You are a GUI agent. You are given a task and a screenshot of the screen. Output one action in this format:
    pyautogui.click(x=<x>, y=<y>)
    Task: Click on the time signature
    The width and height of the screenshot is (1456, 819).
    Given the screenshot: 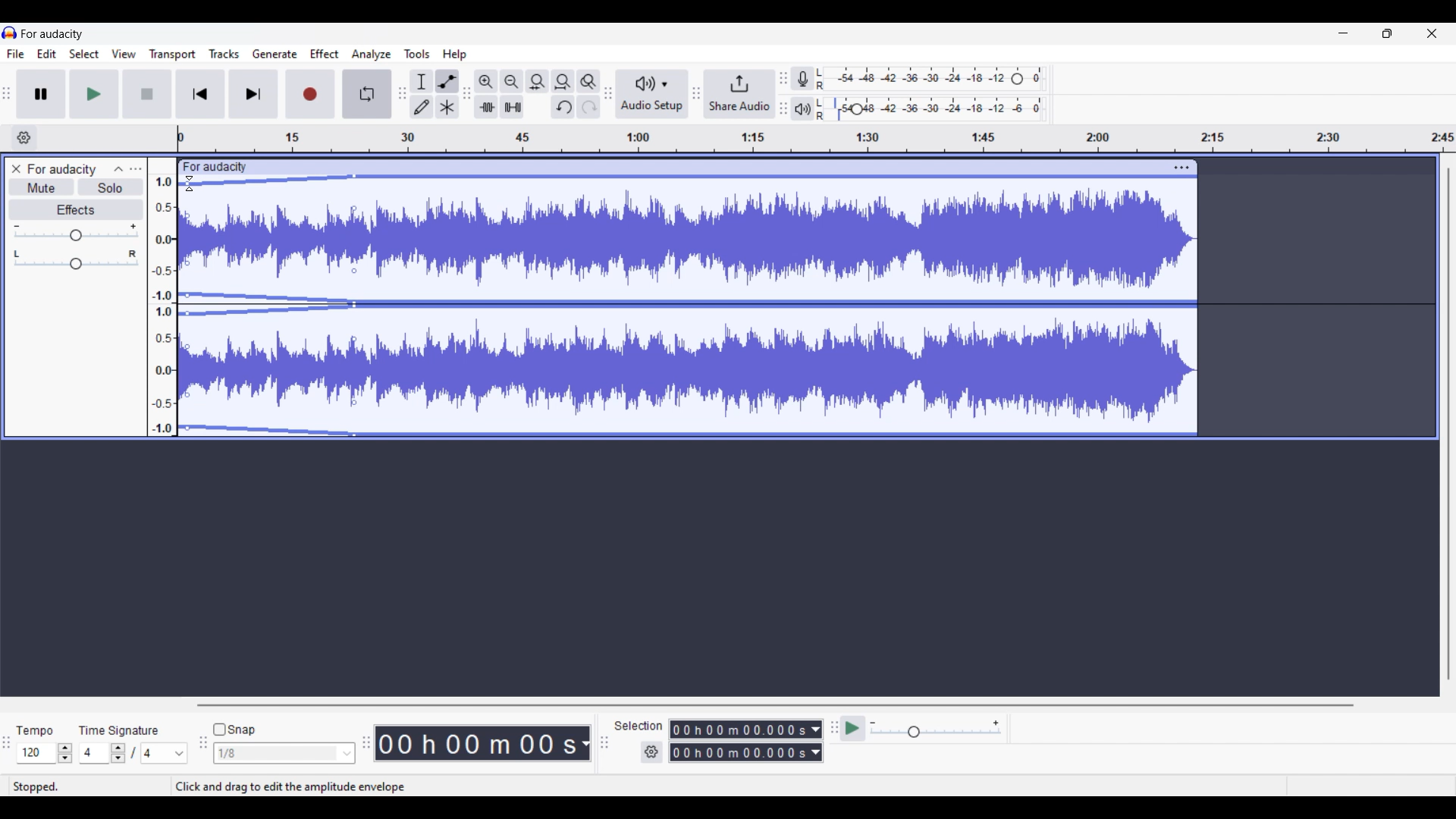 What is the action you would take?
    pyautogui.click(x=118, y=731)
    